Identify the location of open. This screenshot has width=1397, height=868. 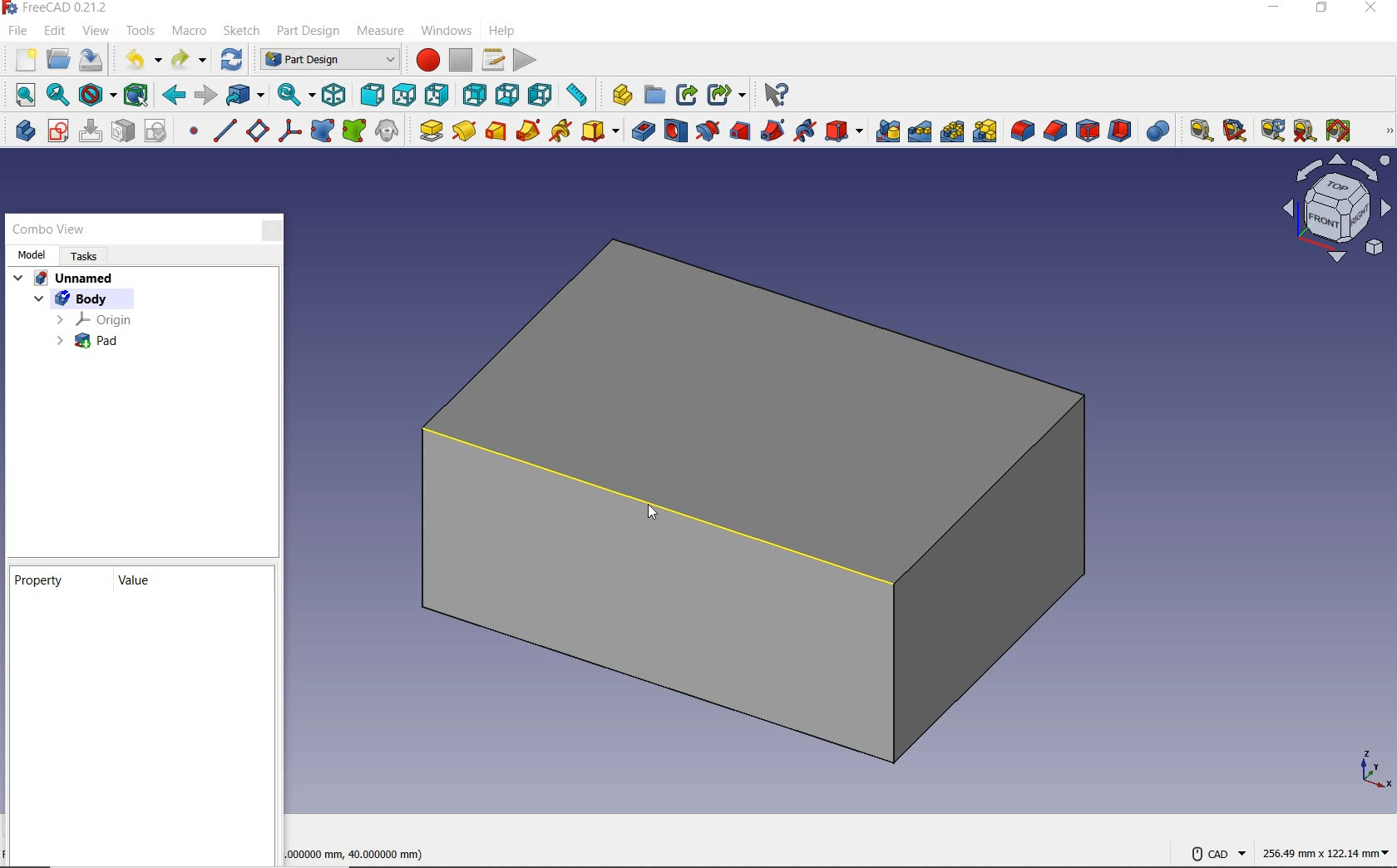
(58, 60).